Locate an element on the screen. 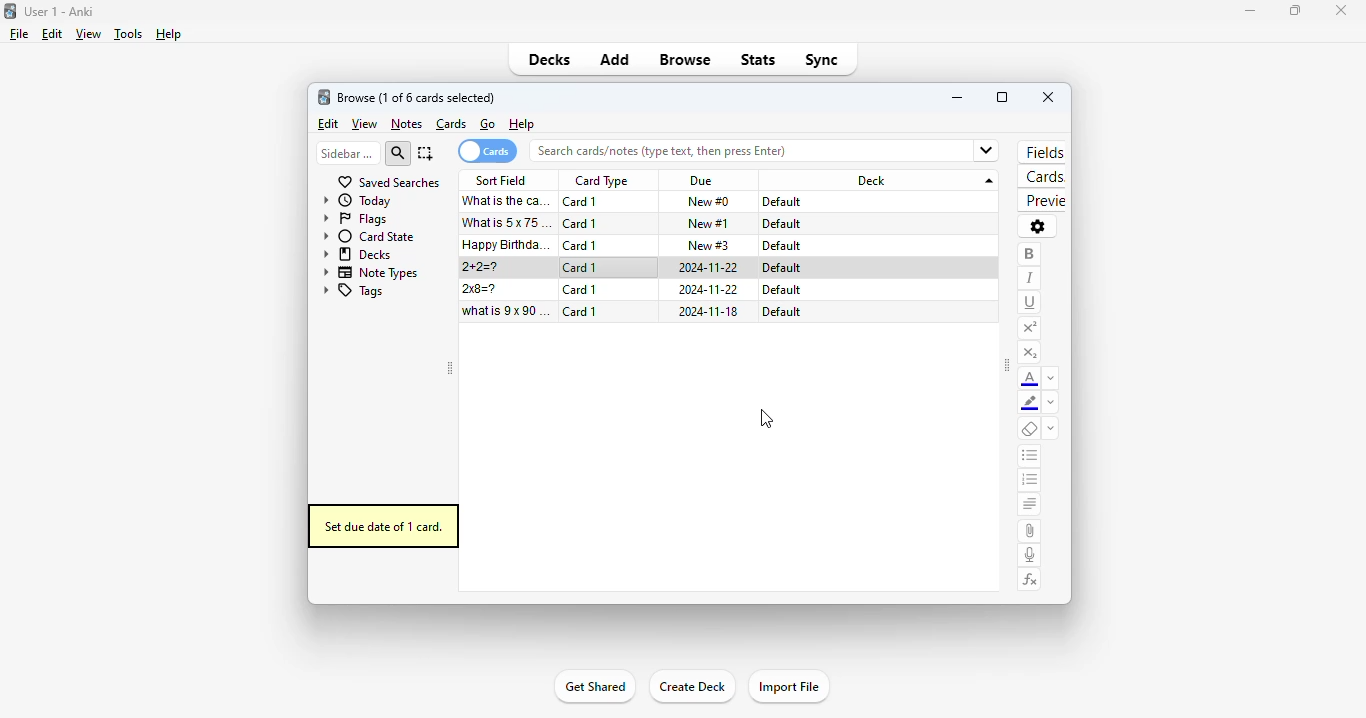  2+2=? is located at coordinates (482, 267).